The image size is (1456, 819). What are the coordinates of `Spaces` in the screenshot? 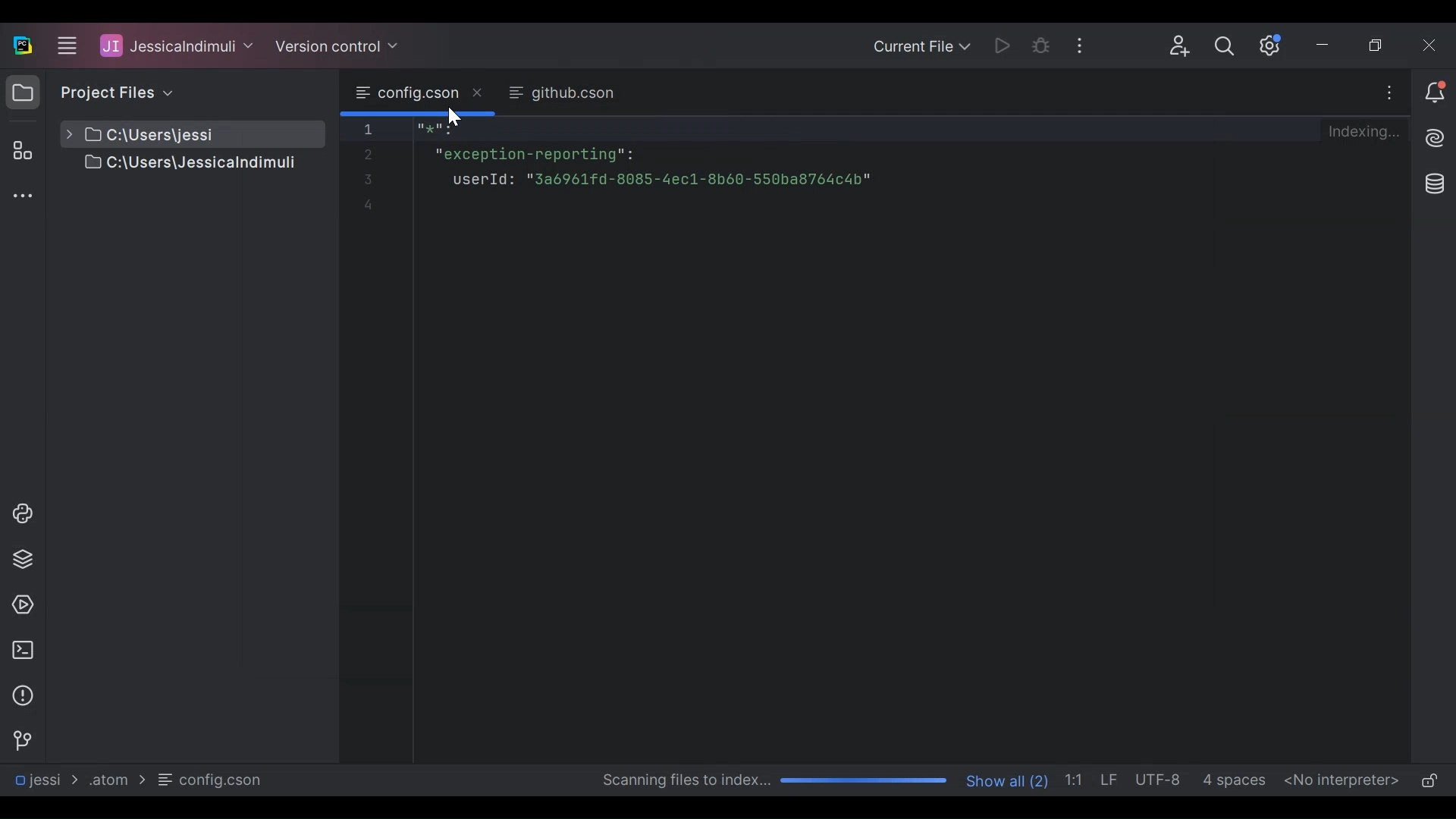 It's located at (1236, 780).